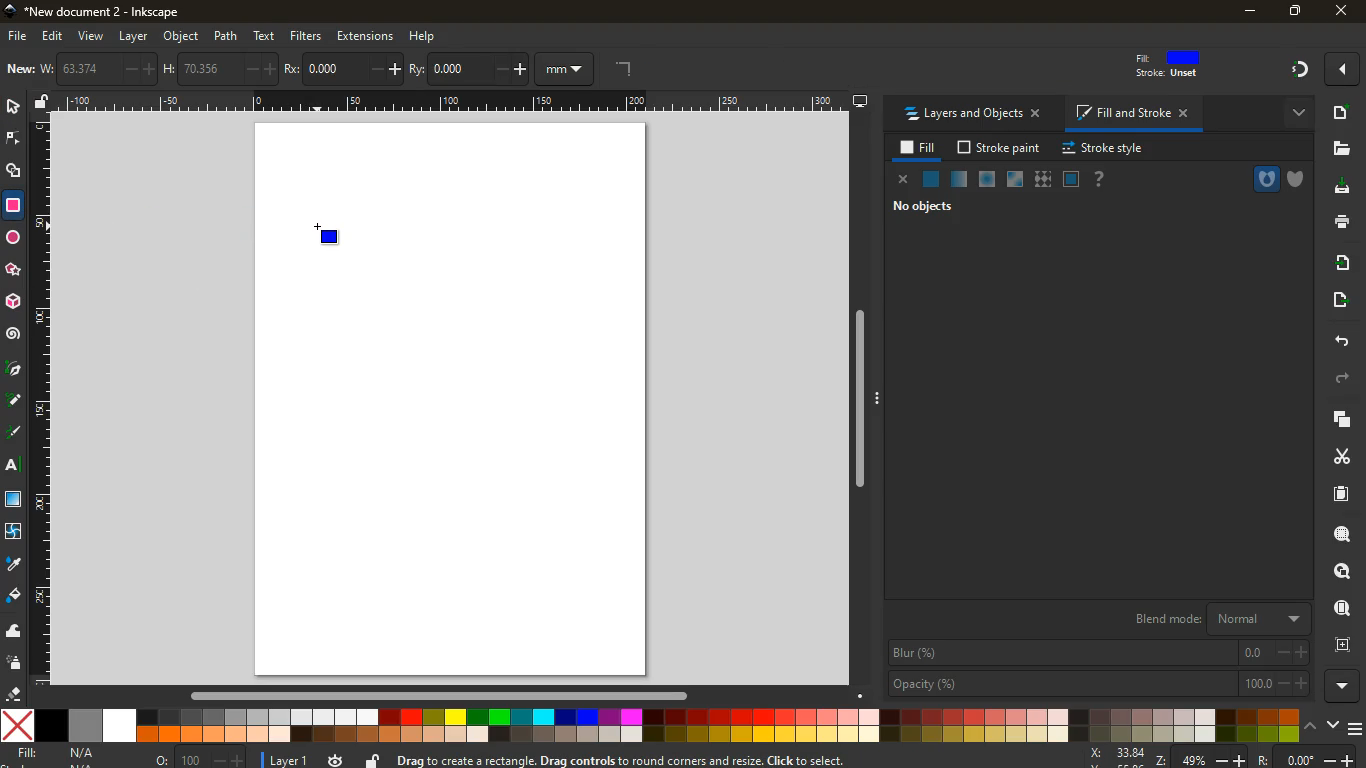  Describe the element at coordinates (15, 173) in the screenshot. I see `shapes` at that location.